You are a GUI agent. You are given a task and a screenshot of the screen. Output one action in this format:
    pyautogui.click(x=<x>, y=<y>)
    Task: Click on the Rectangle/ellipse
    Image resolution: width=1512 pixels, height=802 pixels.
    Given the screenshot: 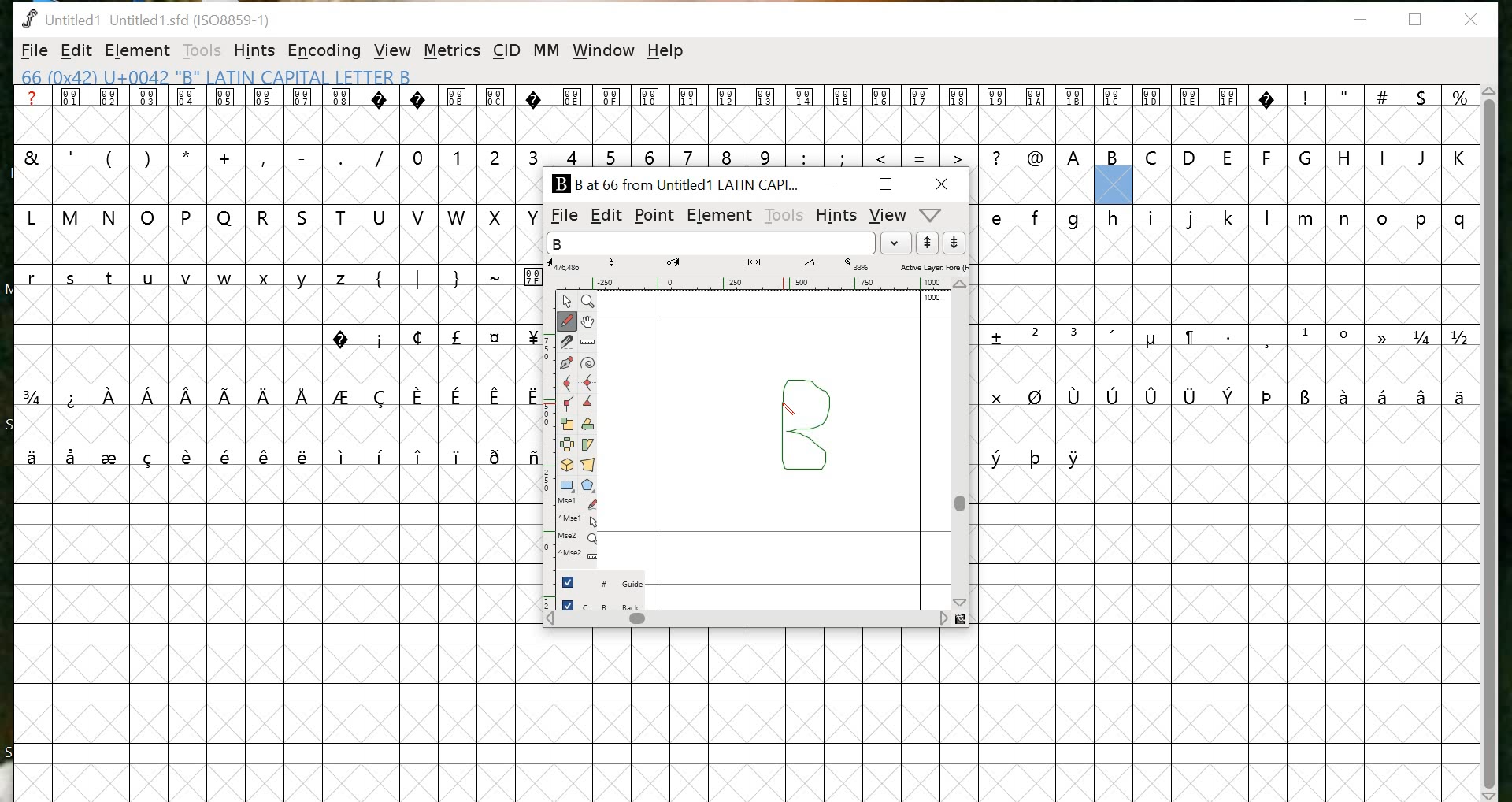 What is the action you would take?
    pyautogui.click(x=569, y=486)
    